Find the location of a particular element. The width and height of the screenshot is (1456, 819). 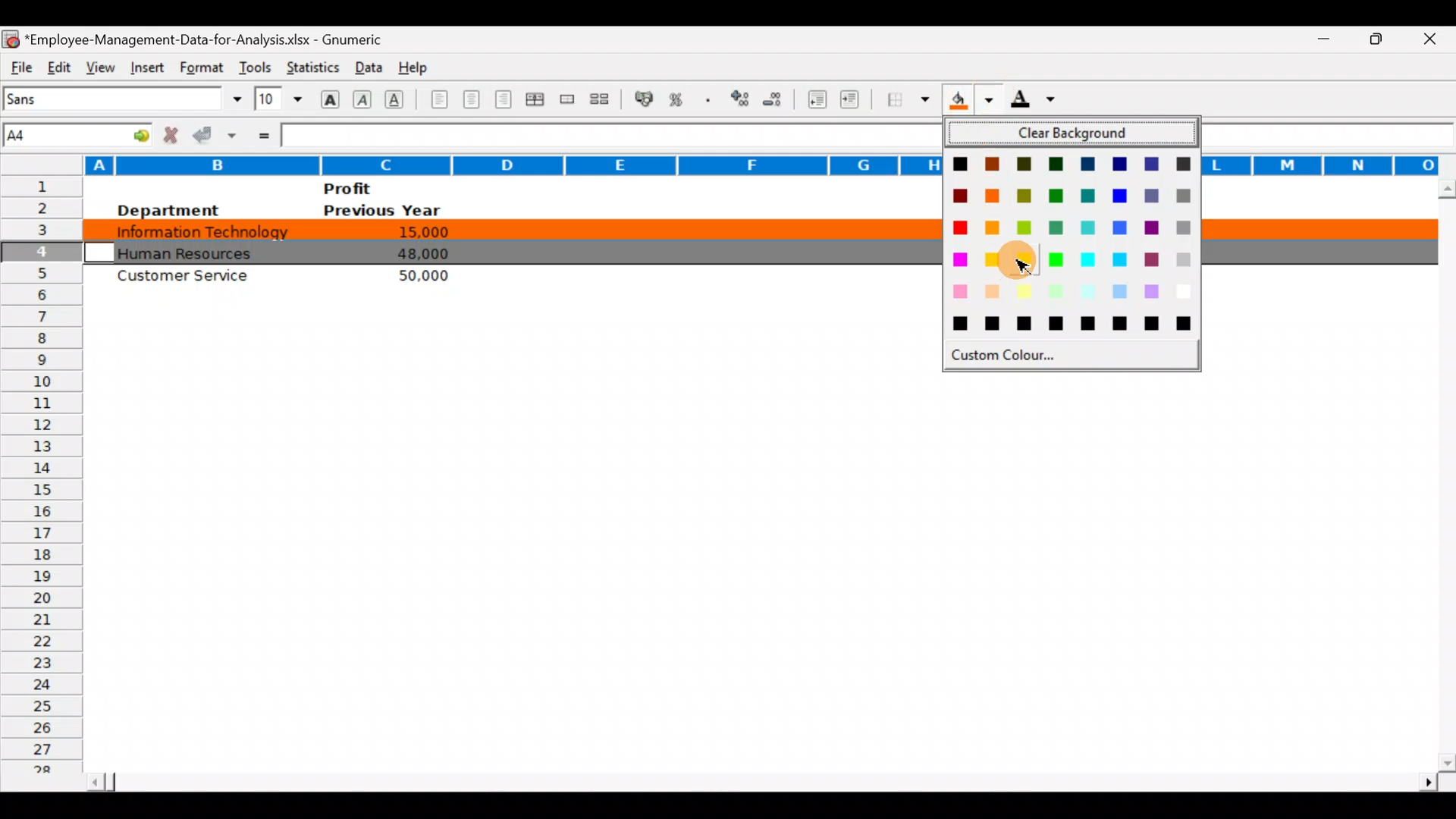

Department is located at coordinates (167, 210).